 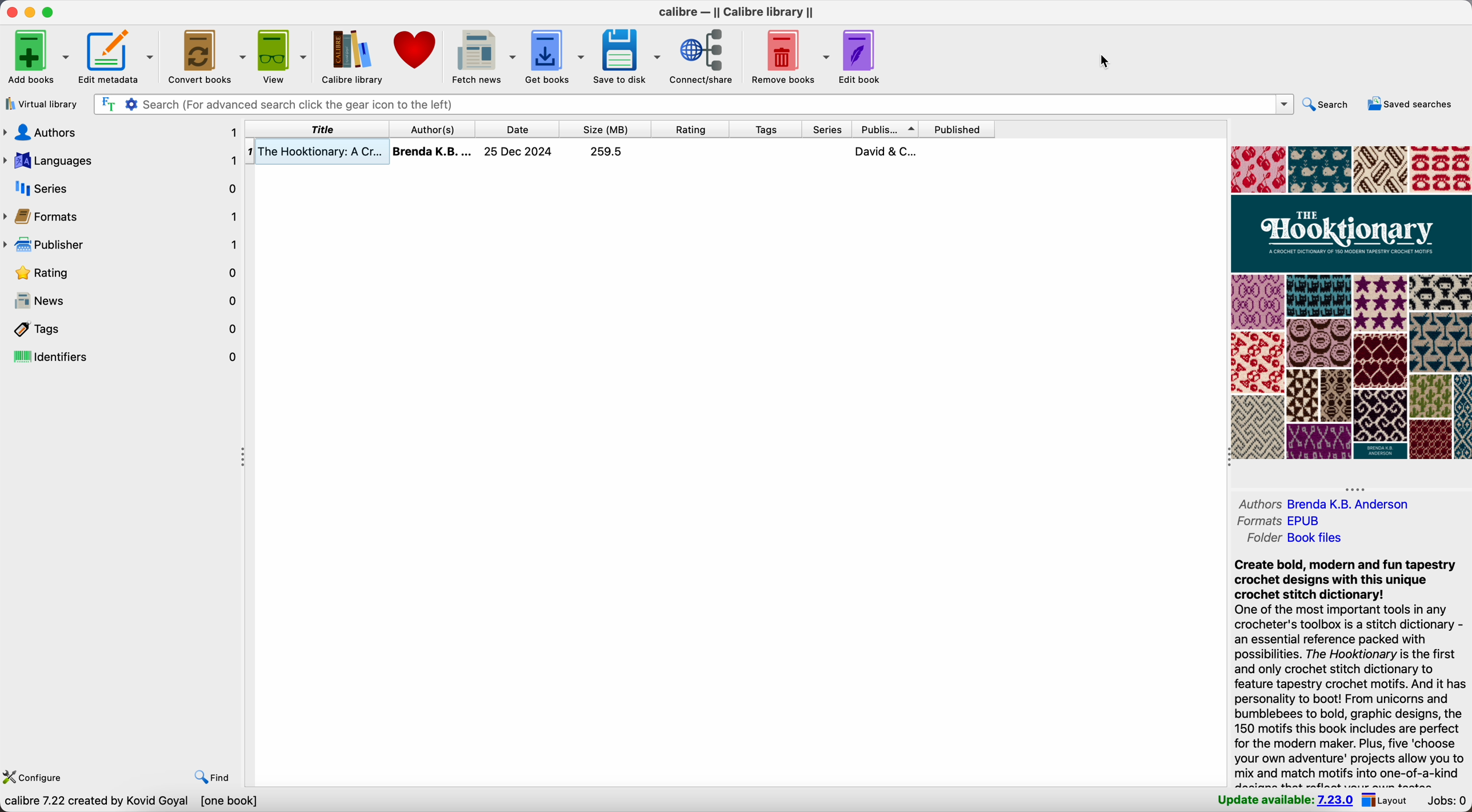 What do you see at coordinates (122, 159) in the screenshot?
I see `languages` at bounding box center [122, 159].